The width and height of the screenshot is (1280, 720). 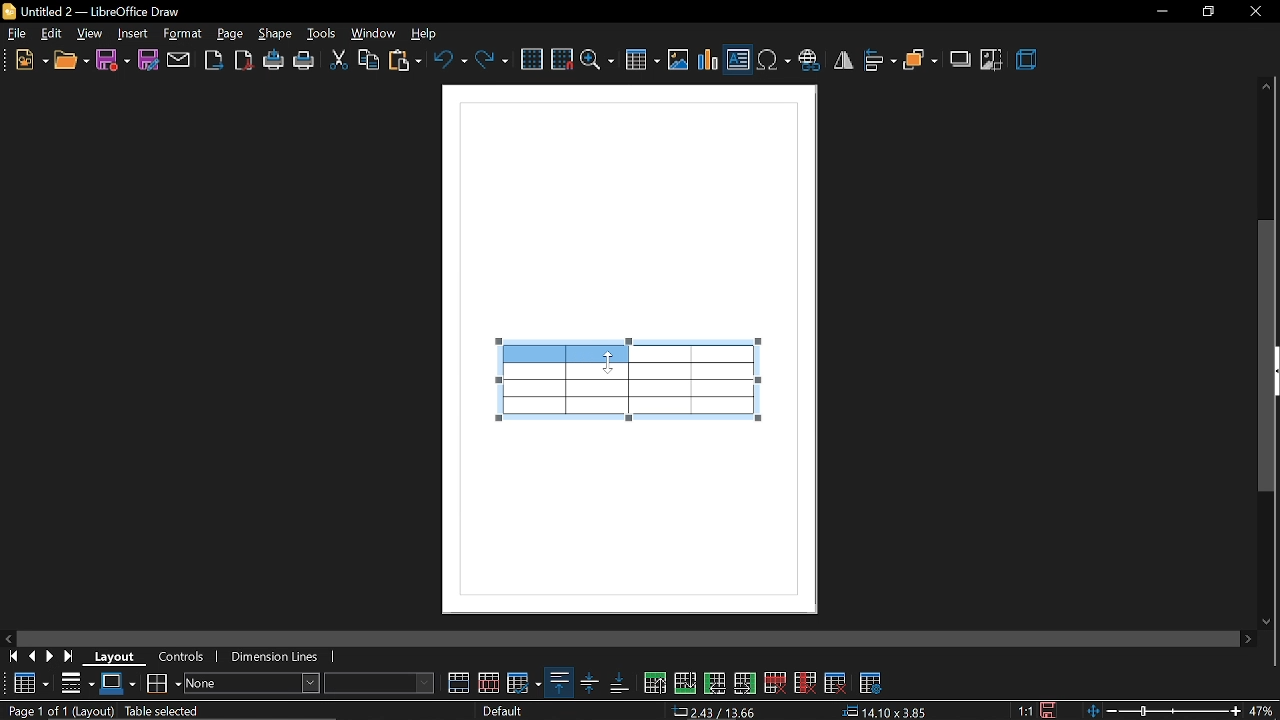 What do you see at coordinates (58, 711) in the screenshot?
I see `Page 1 of 1 (Layout)` at bounding box center [58, 711].